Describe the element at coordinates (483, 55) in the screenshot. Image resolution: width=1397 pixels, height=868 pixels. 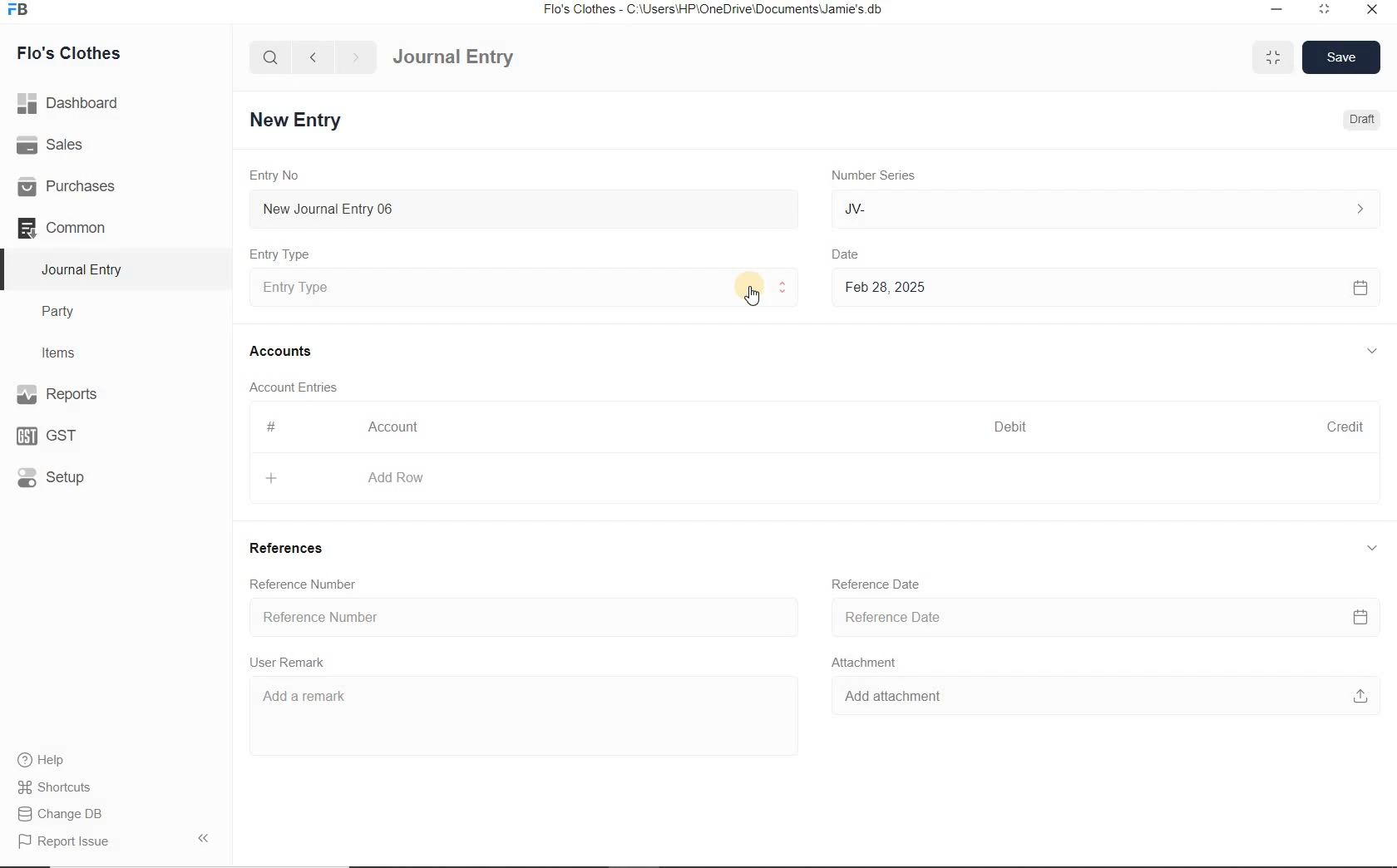
I see `Journal Entry` at that location.